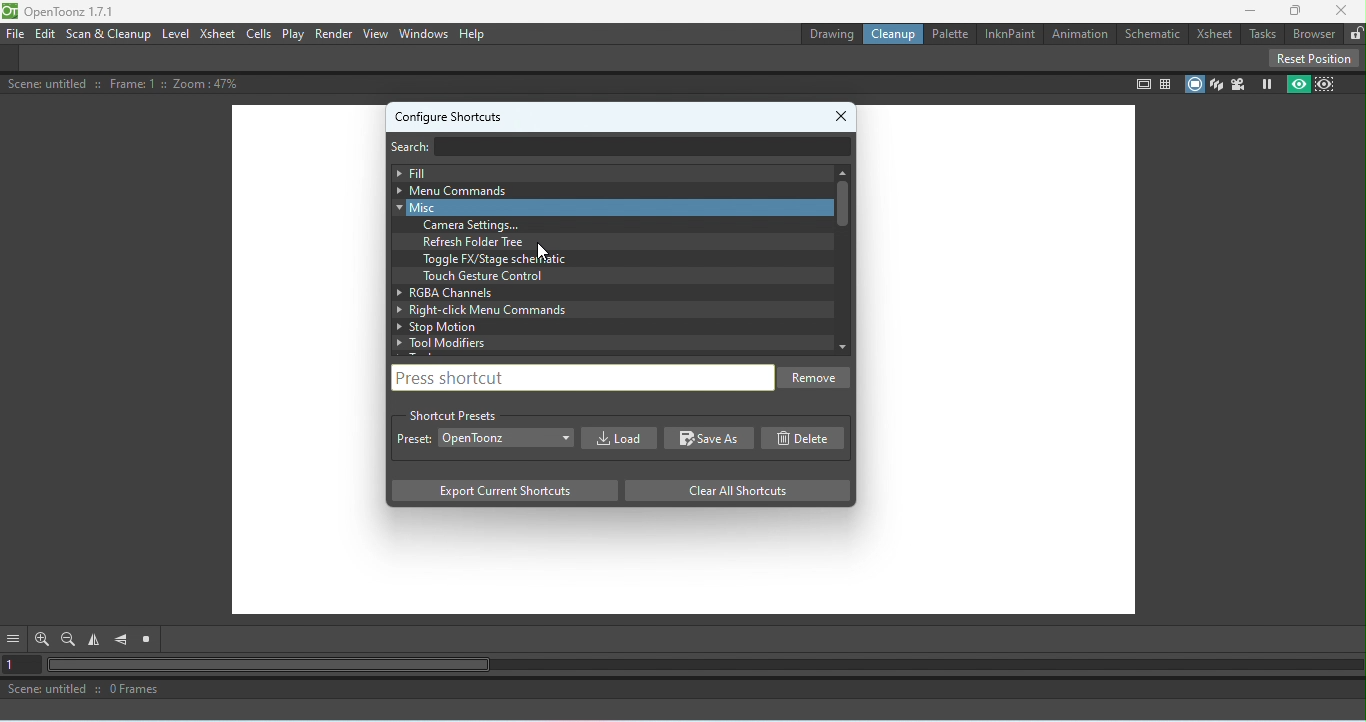 This screenshot has width=1366, height=722. What do you see at coordinates (611, 342) in the screenshot?
I see `Tool modifiers` at bounding box center [611, 342].